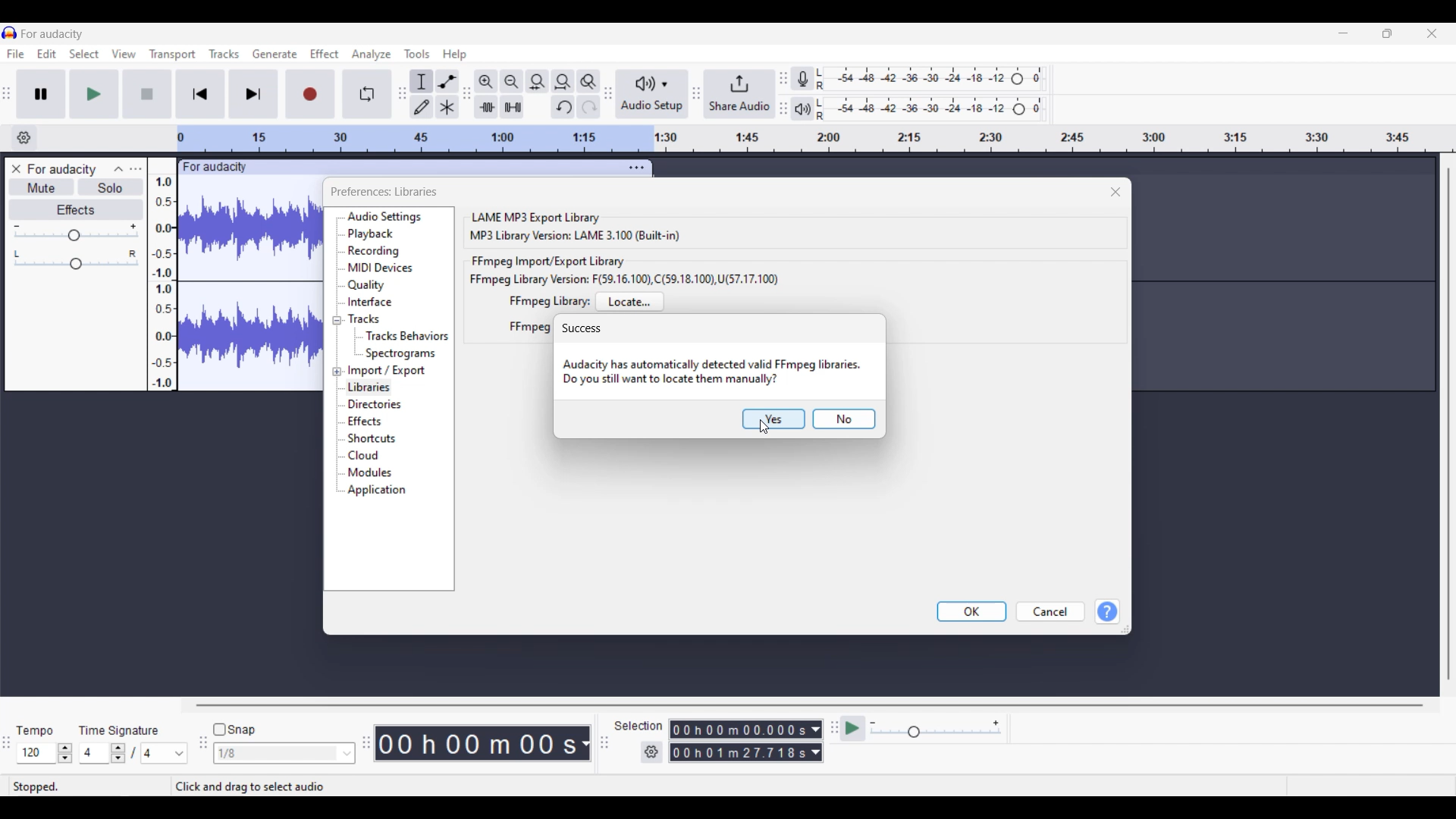 The height and width of the screenshot is (819, 1456). Describe the element at coordinates (311, 95) in the screenshot. I see `Record/Record new track` at that location.